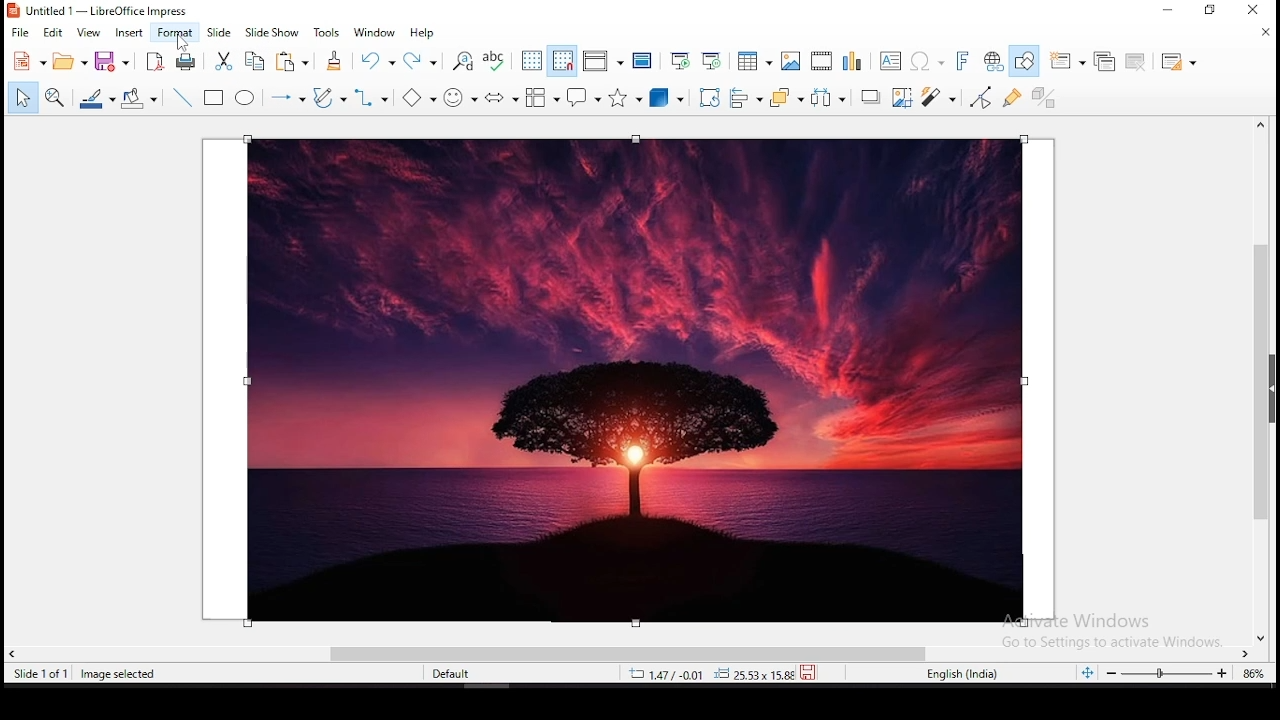 The height and width of the screenshot is (720, 1280). I want to click on rotate, so click(707, 99).